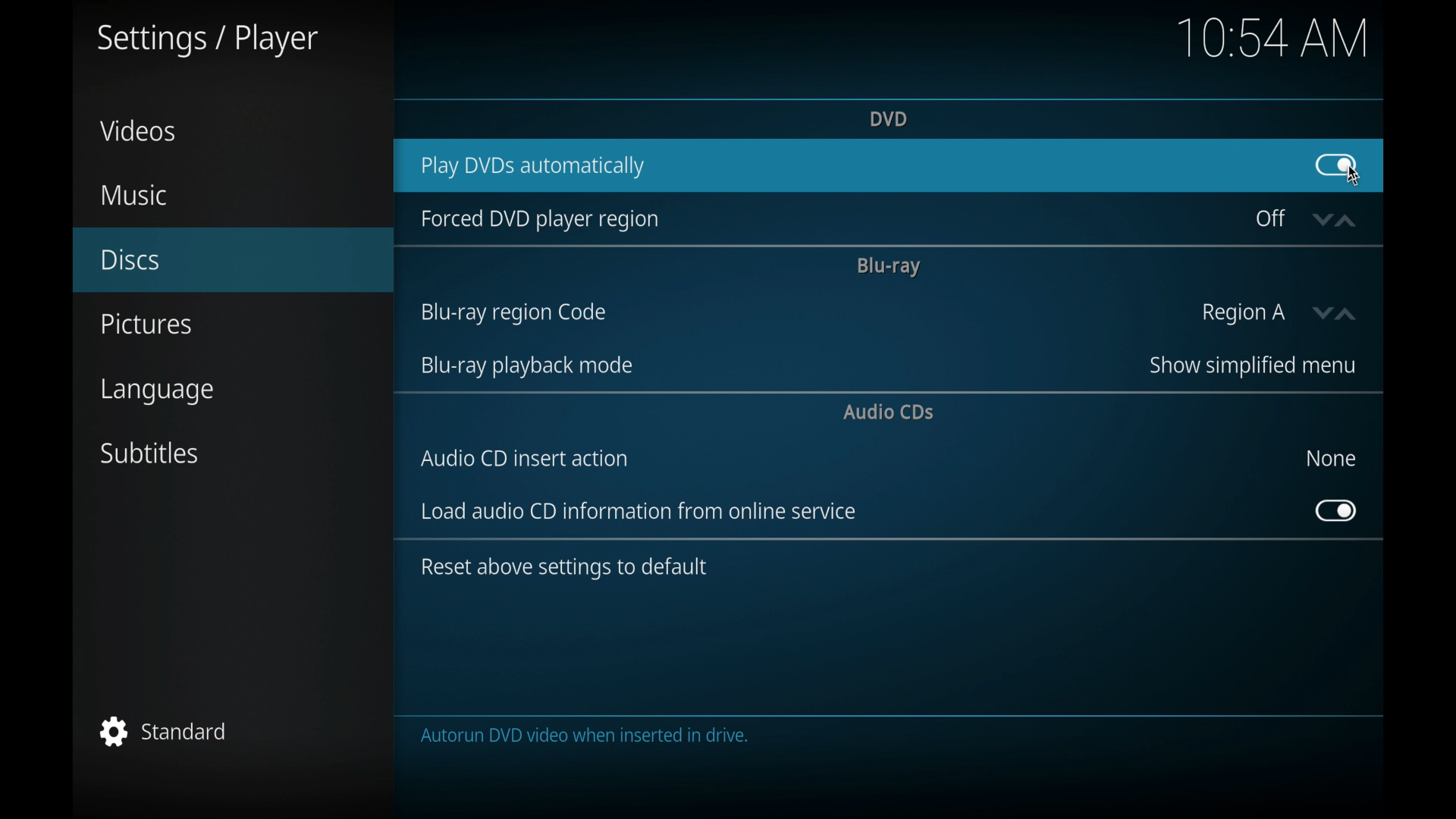  I want to click on settings/player, so click(206, 41).